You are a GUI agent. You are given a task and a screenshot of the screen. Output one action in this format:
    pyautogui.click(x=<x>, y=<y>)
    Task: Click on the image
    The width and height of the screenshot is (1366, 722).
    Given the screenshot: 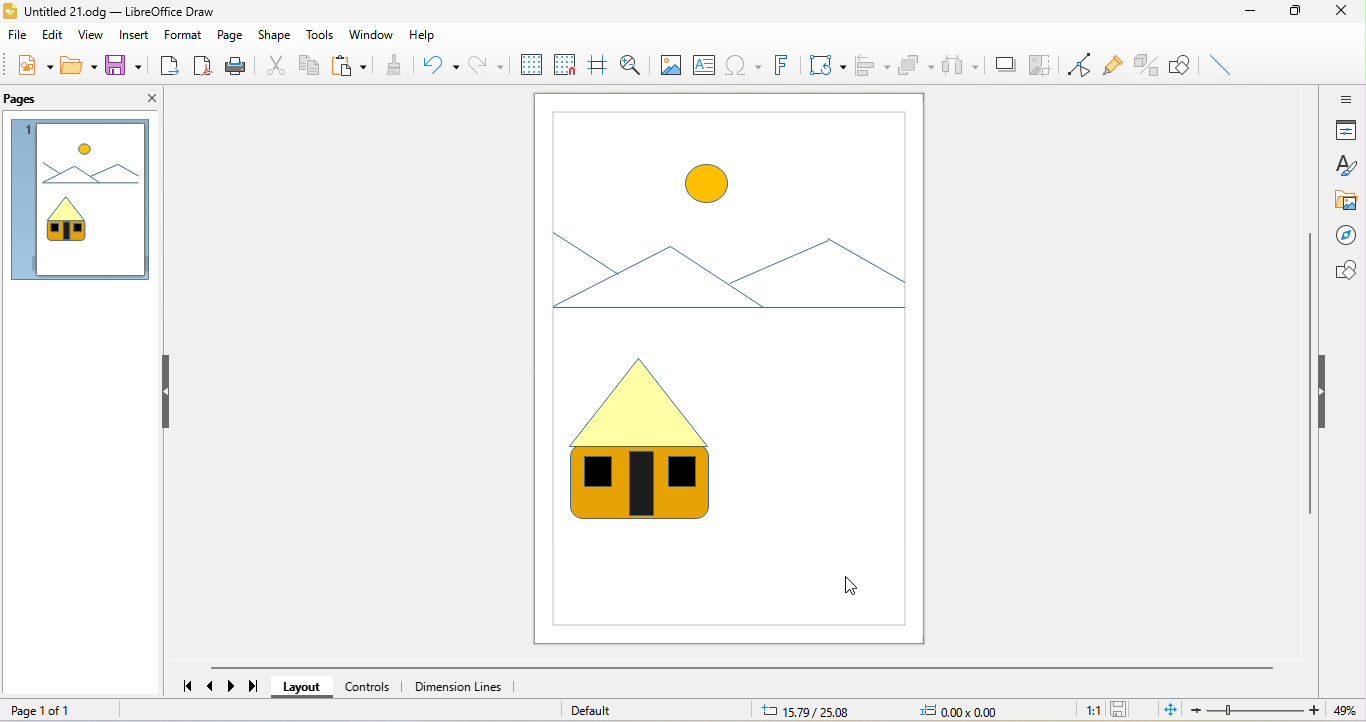 What is the action you would take?
    pyautogui.click(x=670, y=65)
    